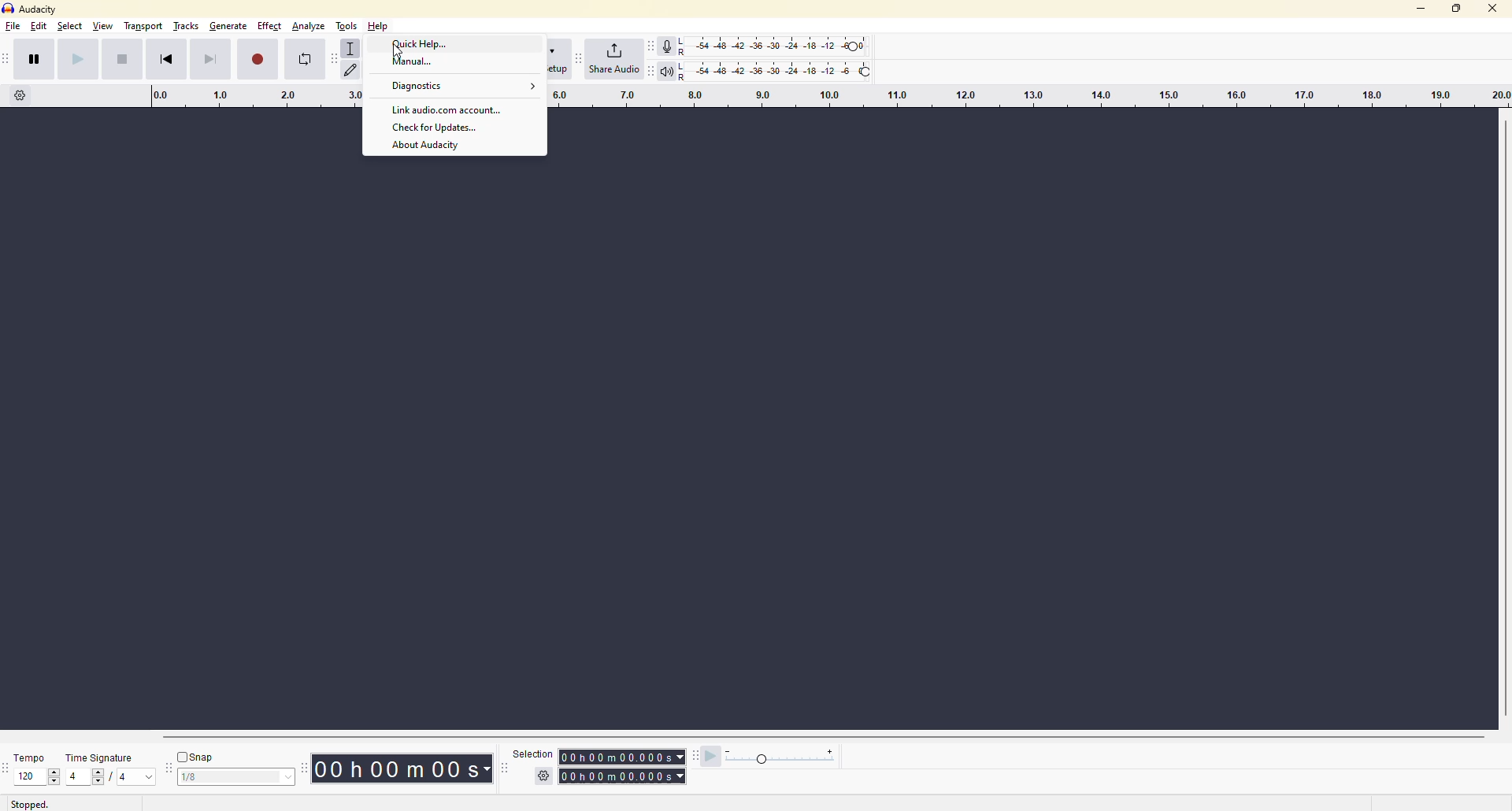 This screenshot has width=1512, height=811. What do you see at coordinates (303, 60) in the screenshot?
I see `enable looping` at bounding box center [303, 60].